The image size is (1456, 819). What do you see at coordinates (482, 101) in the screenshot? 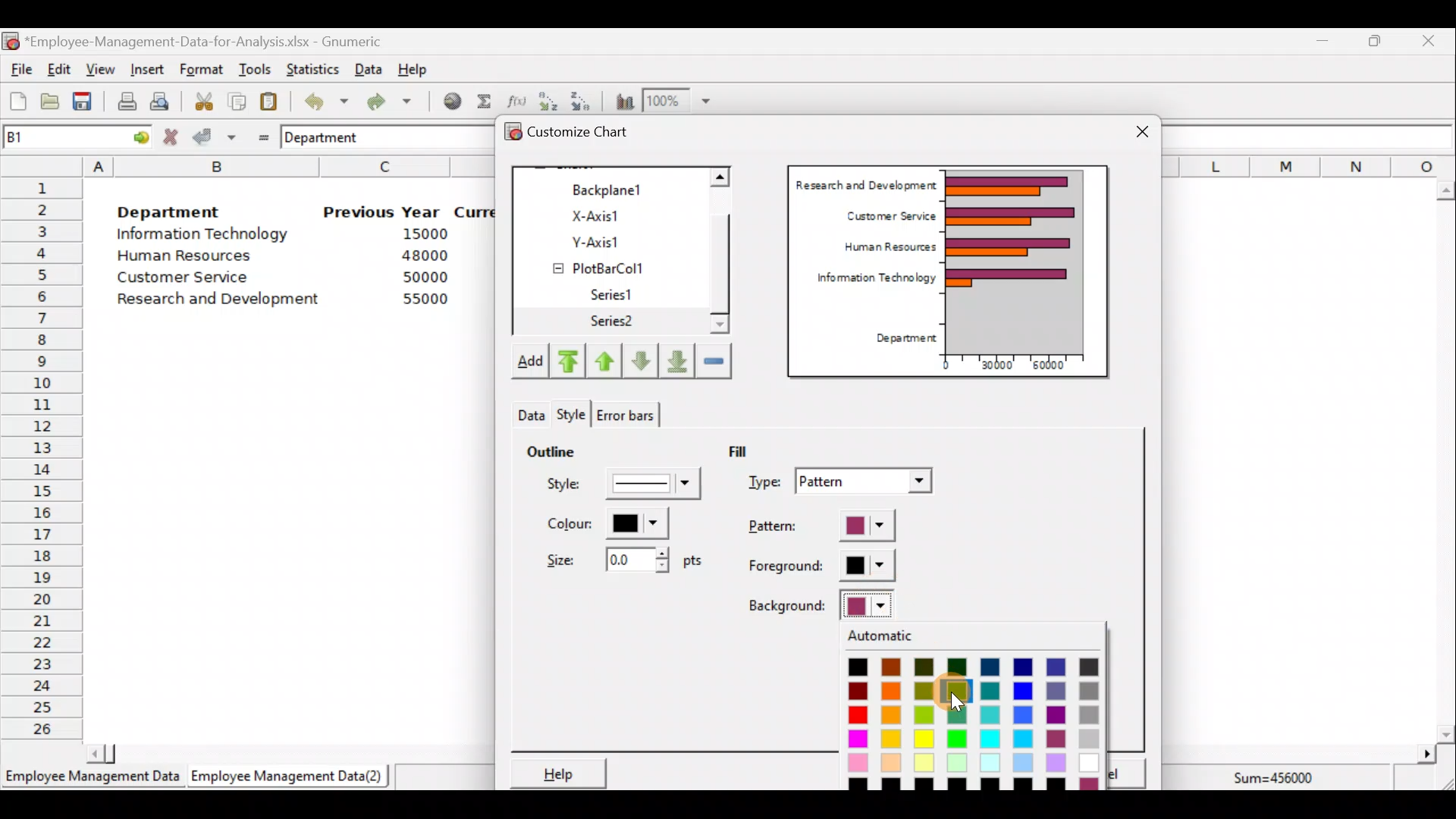
I see `Sum into the current cell` at bounding box center [482, 101].